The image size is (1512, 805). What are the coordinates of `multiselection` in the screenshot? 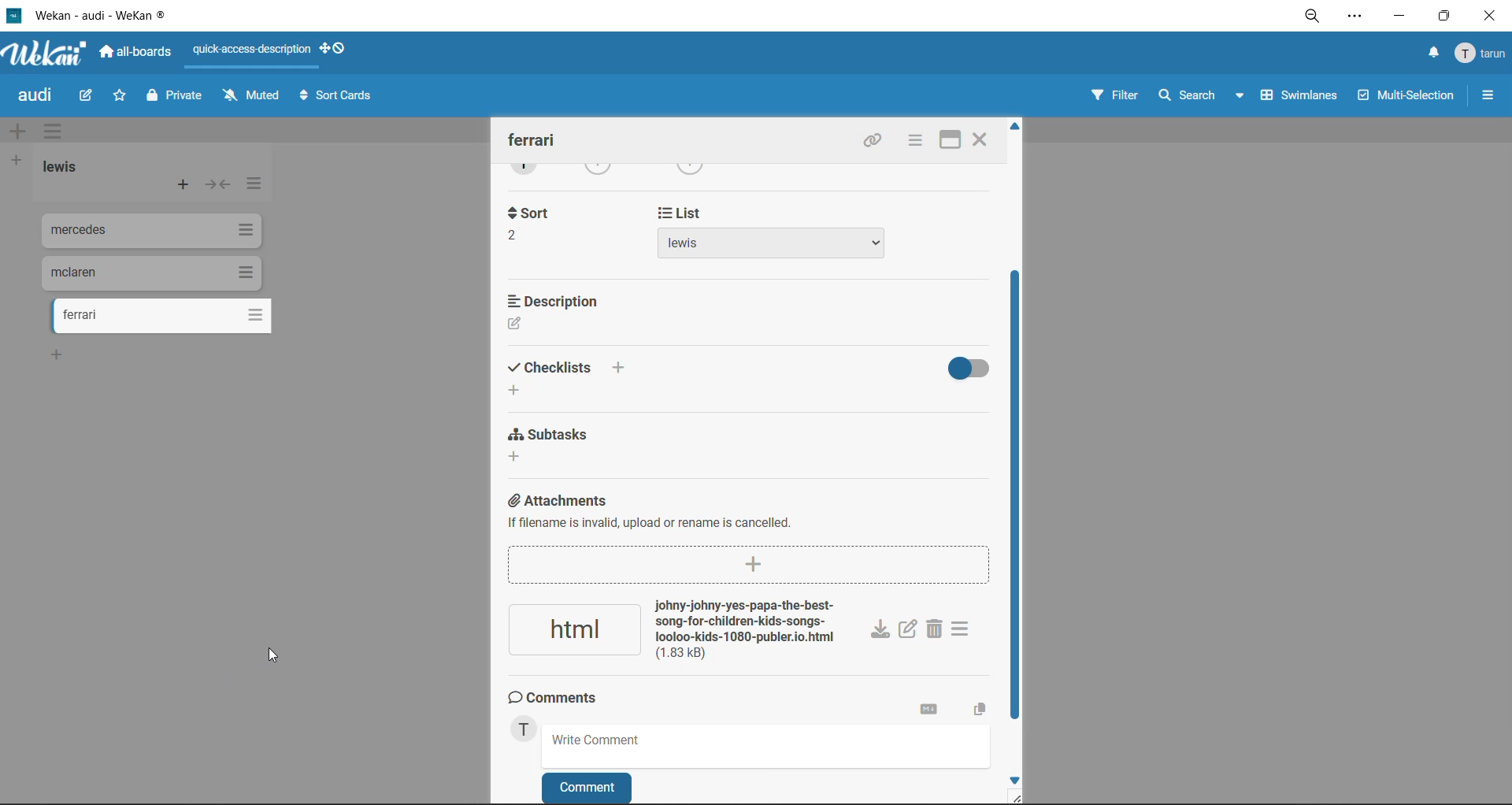 It's located at (1407, 98).